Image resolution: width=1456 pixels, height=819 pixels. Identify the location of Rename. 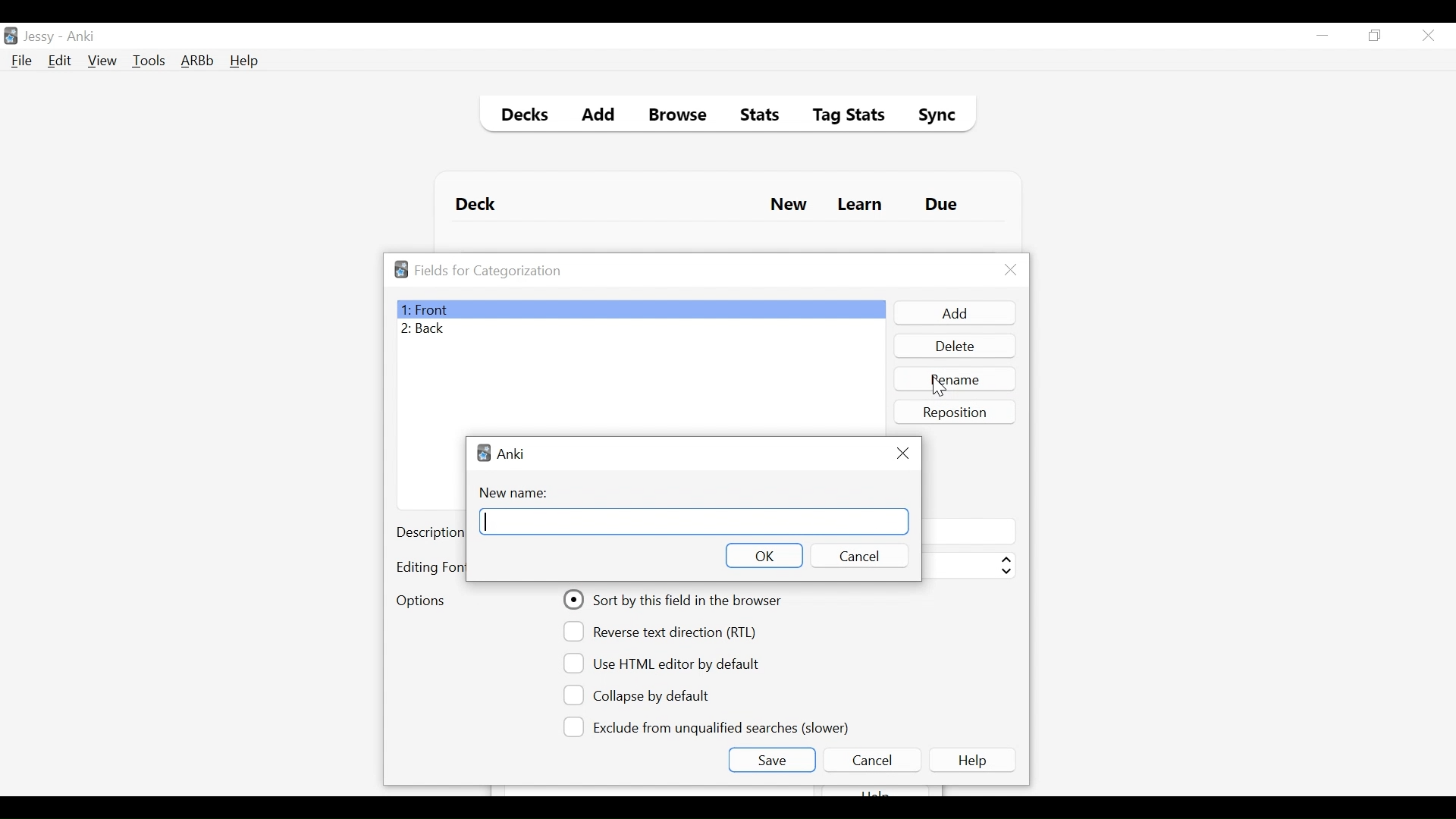
(956, 378).